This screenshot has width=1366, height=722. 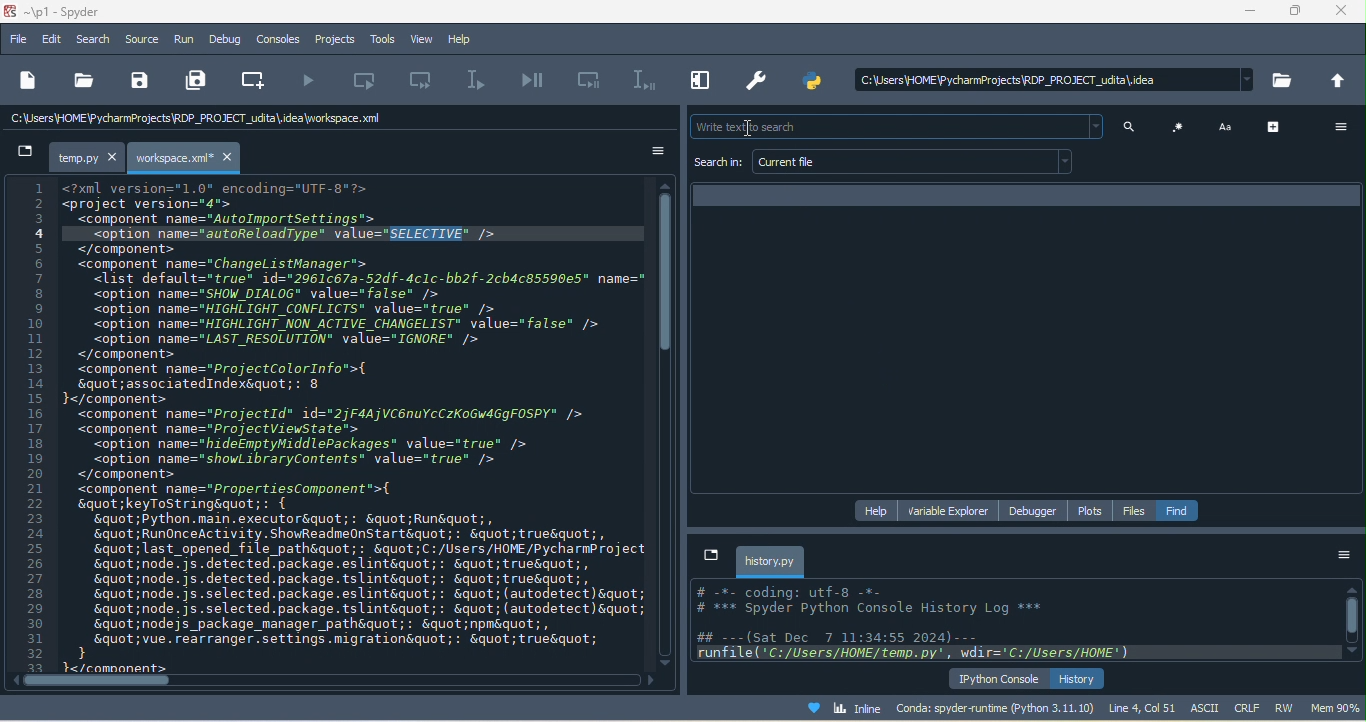 What do you see at coordinates (466, 40) in the screenshot?
I see `help` at bounding box center [466, 40].